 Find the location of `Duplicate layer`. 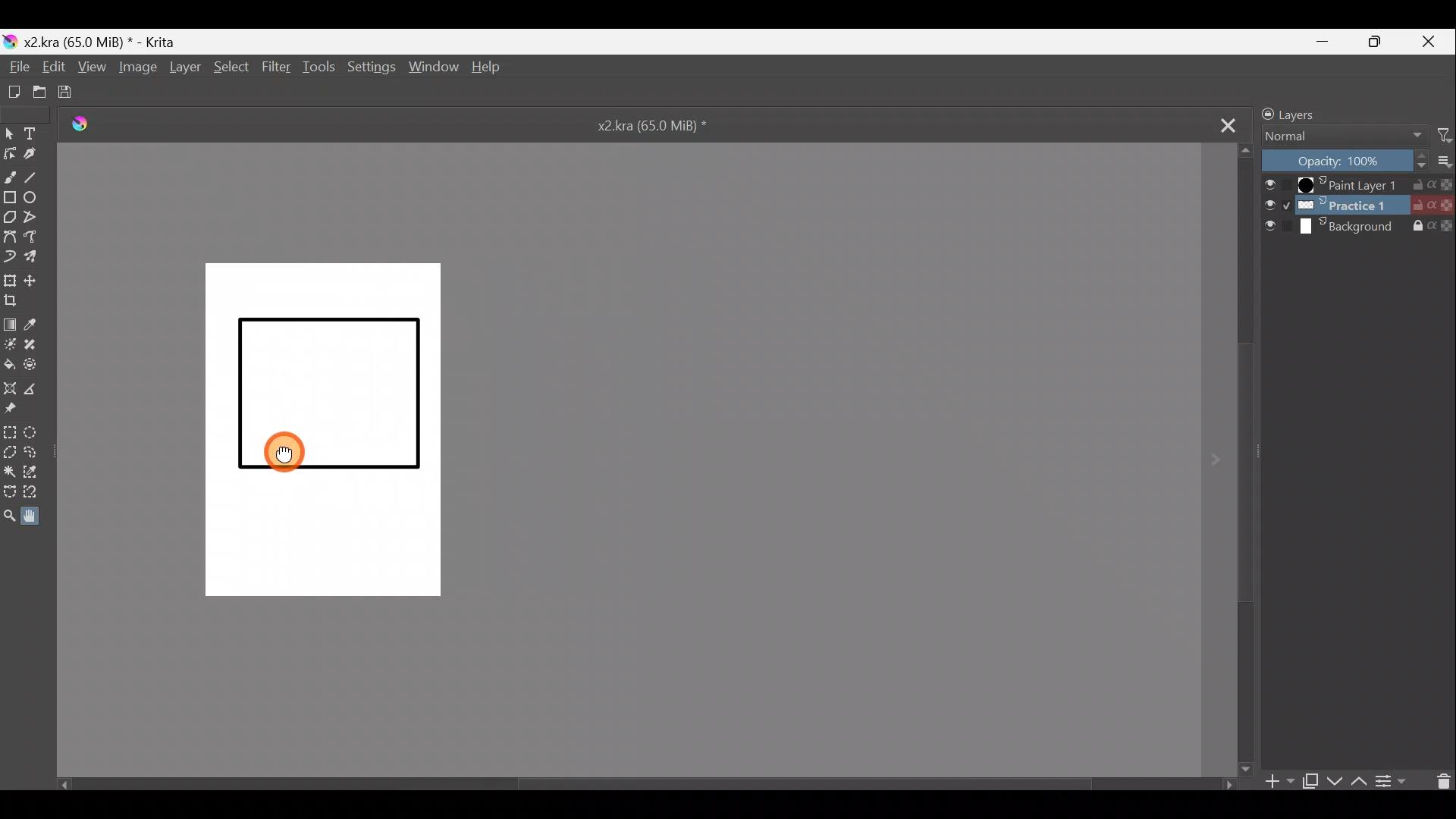

Duplicate layer is located at coordinates (1309, 780).